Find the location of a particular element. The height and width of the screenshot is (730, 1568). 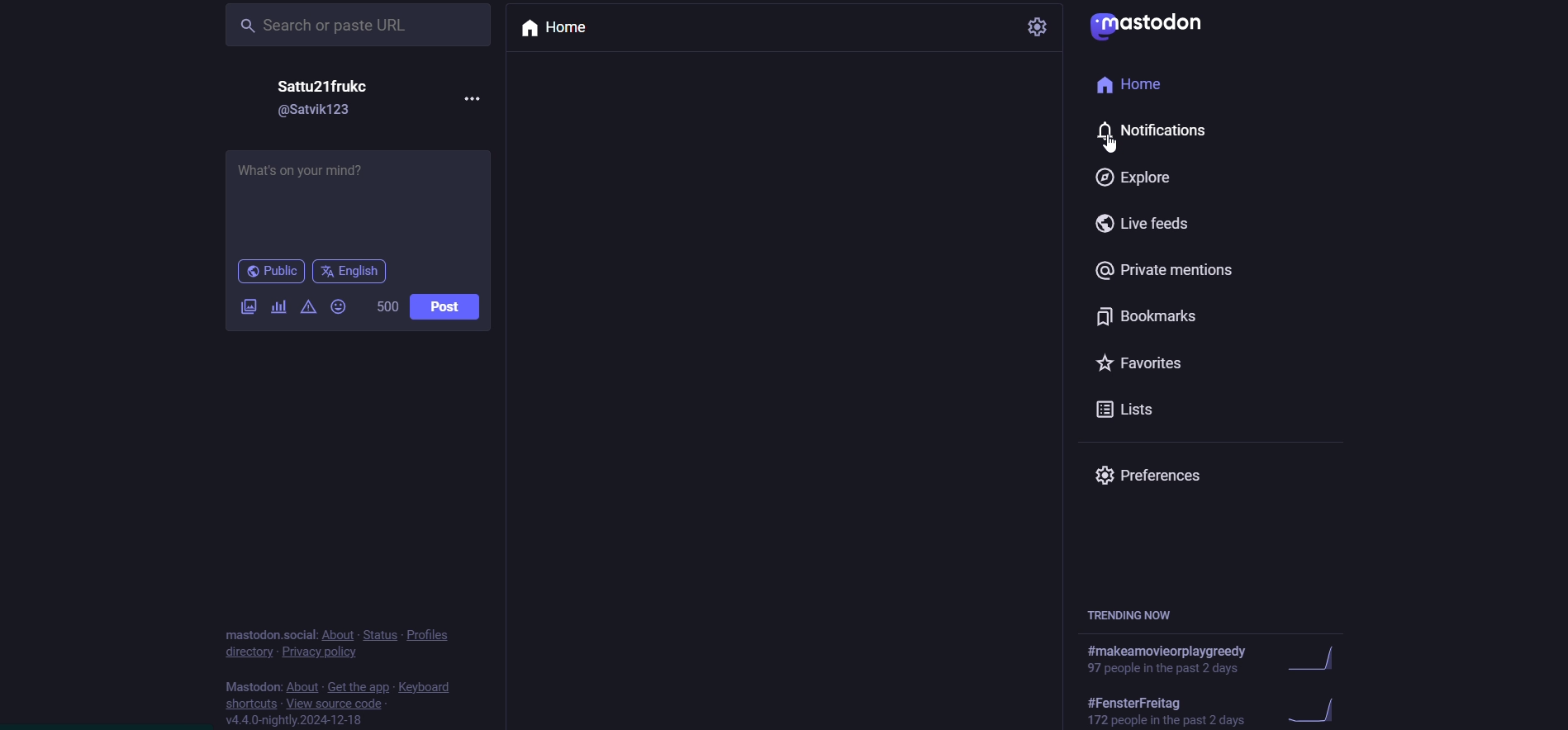

Bookmarks is located at coordinates (1152, 318).